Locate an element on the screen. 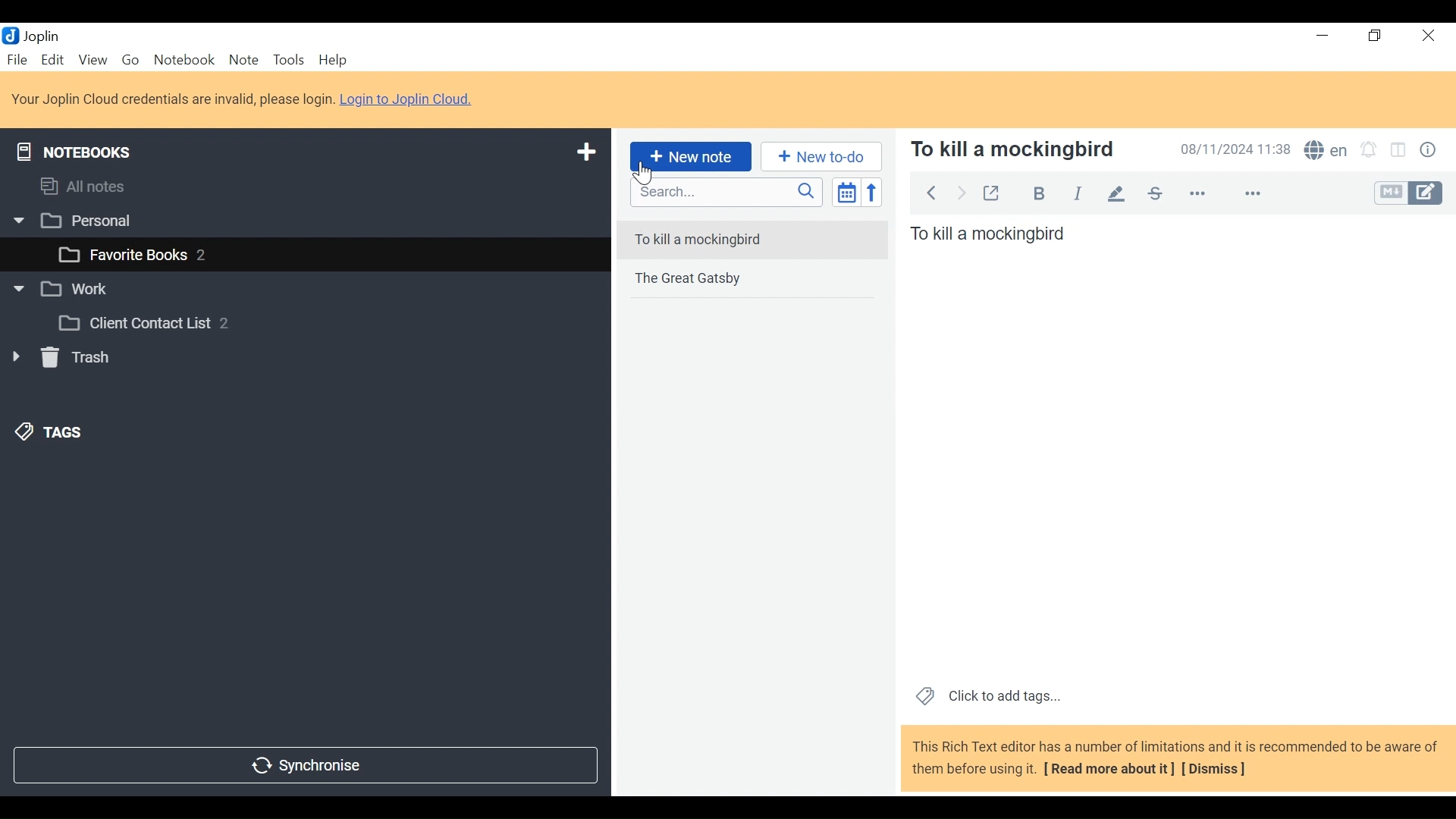 This screenshot has height=819, width=1456.  is located at coordinates (334, 59).